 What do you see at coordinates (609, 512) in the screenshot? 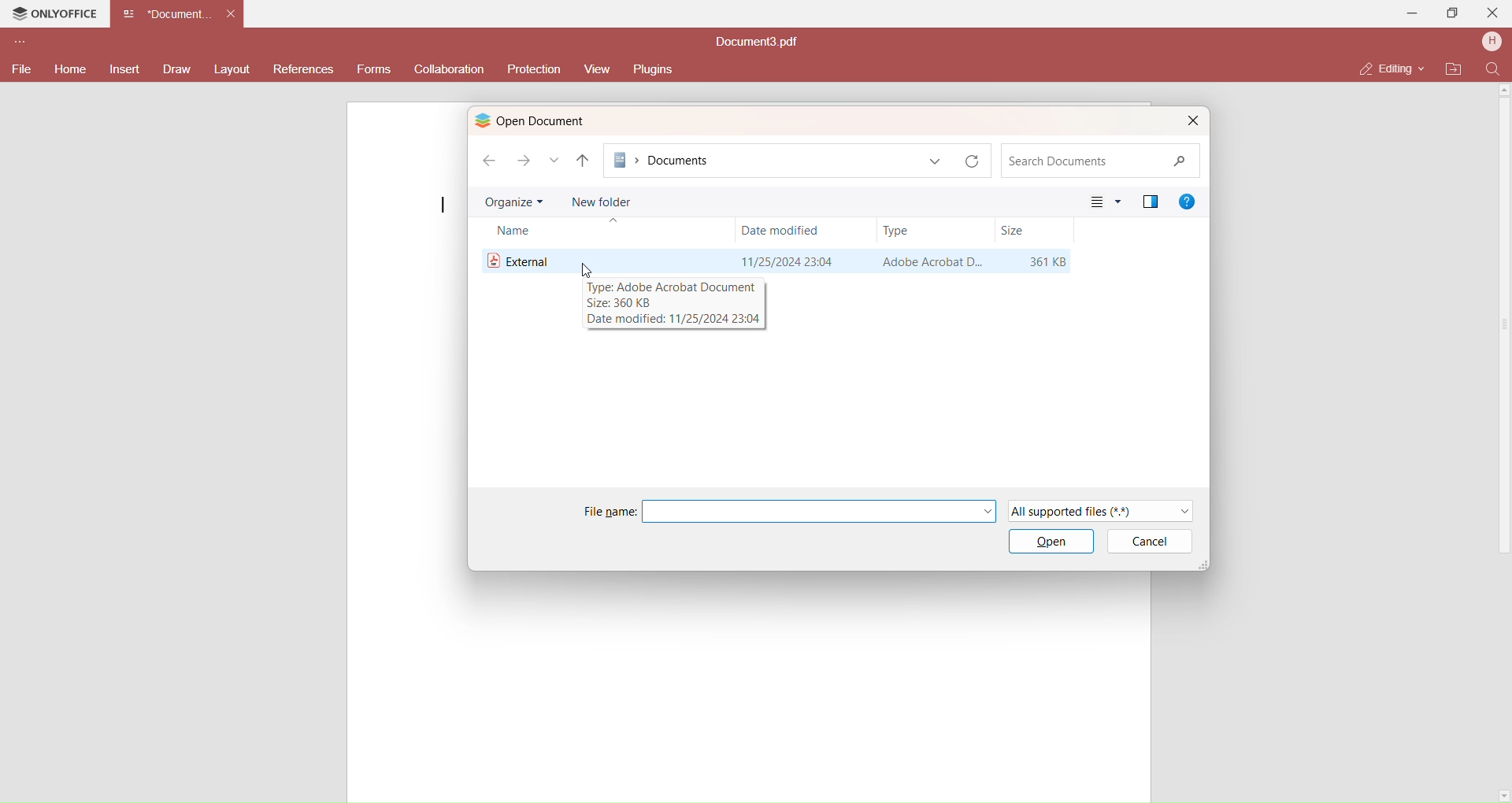
I see `File name` at bounding box center [609, 512].